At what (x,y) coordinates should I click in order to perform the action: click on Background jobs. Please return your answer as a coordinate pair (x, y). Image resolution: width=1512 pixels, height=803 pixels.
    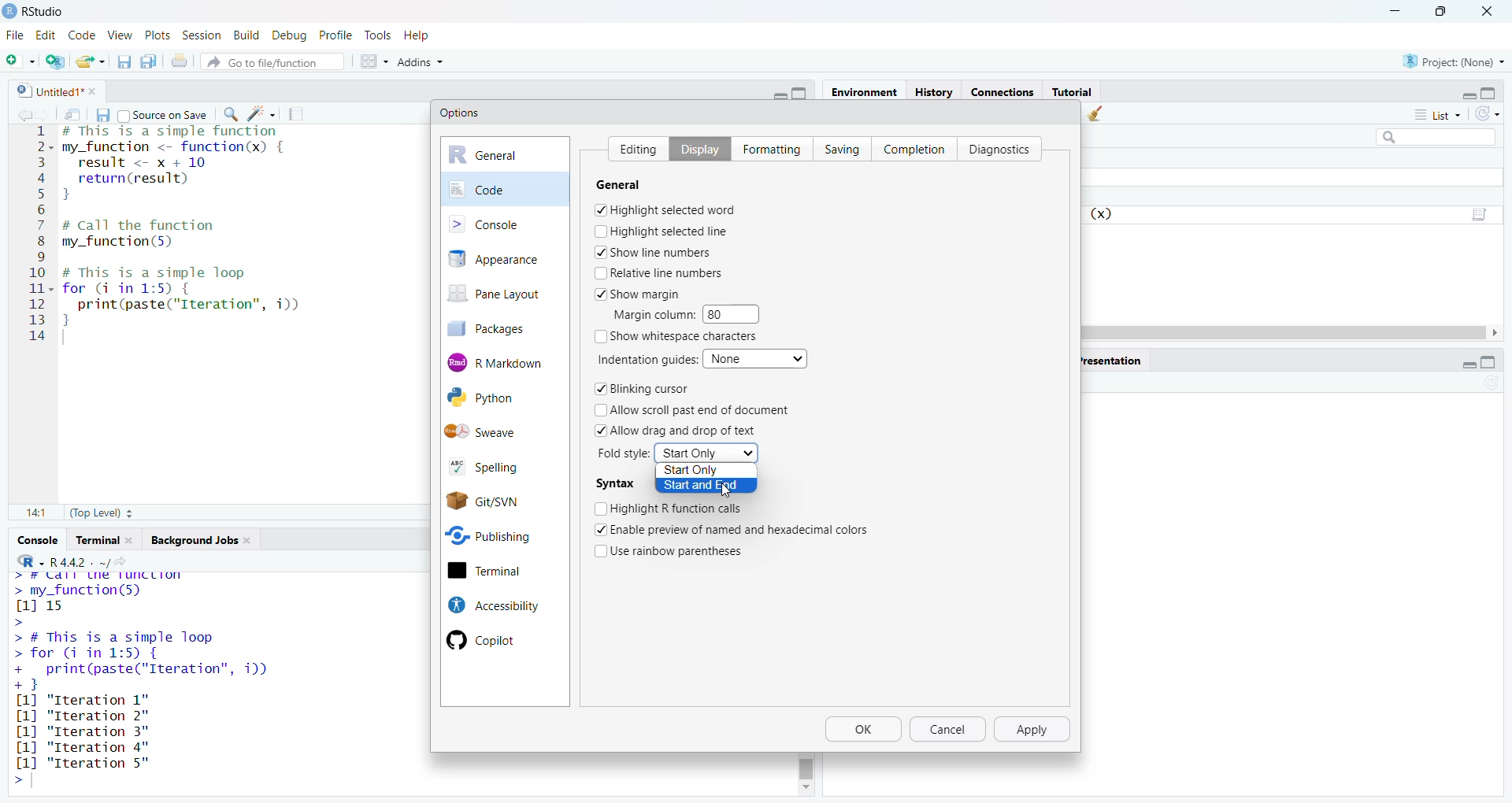
    Looking at the image, I should click on (194, 540).